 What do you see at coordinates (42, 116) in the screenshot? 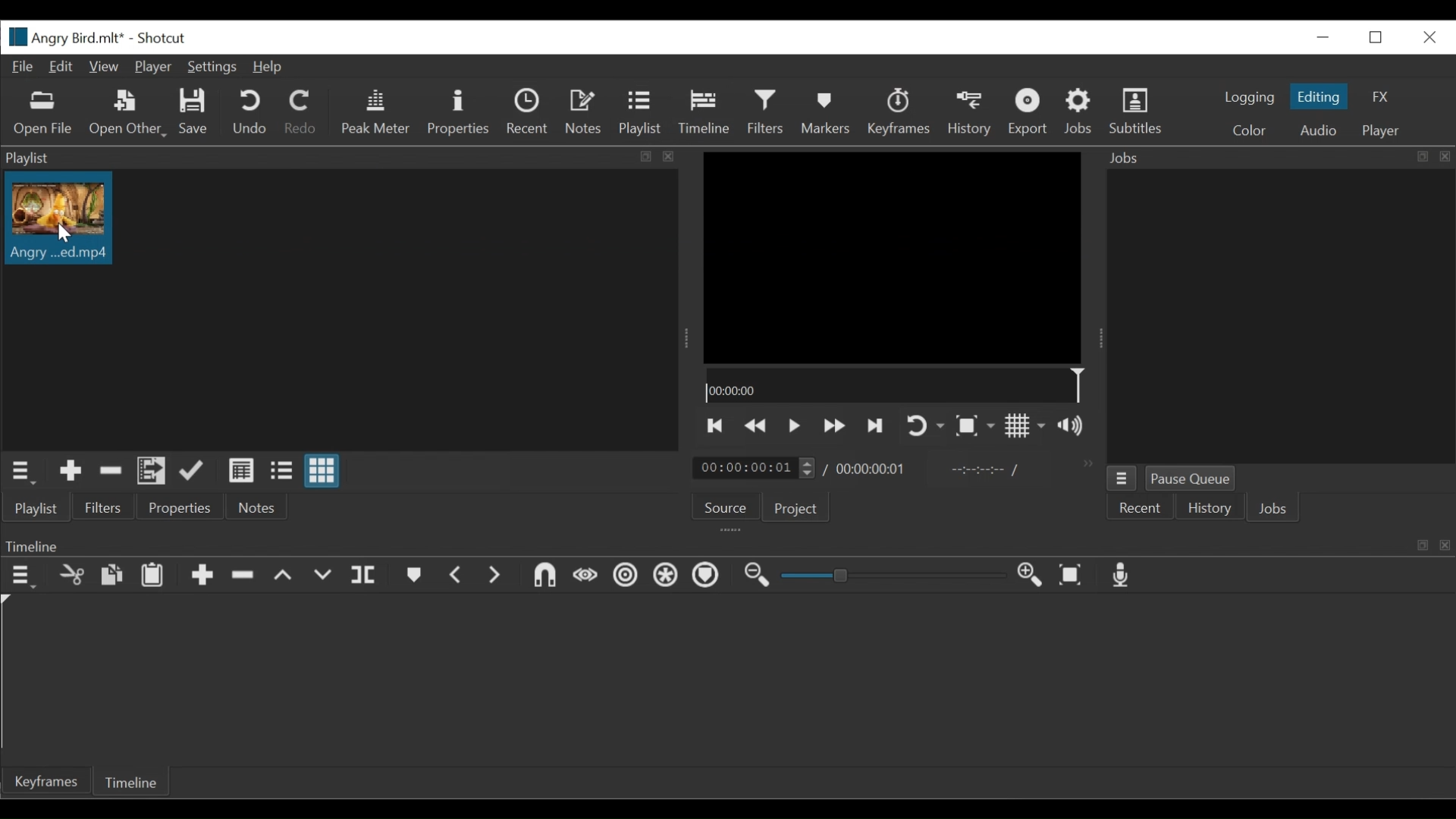
I see `Open File` at bounding box center [42, 116].